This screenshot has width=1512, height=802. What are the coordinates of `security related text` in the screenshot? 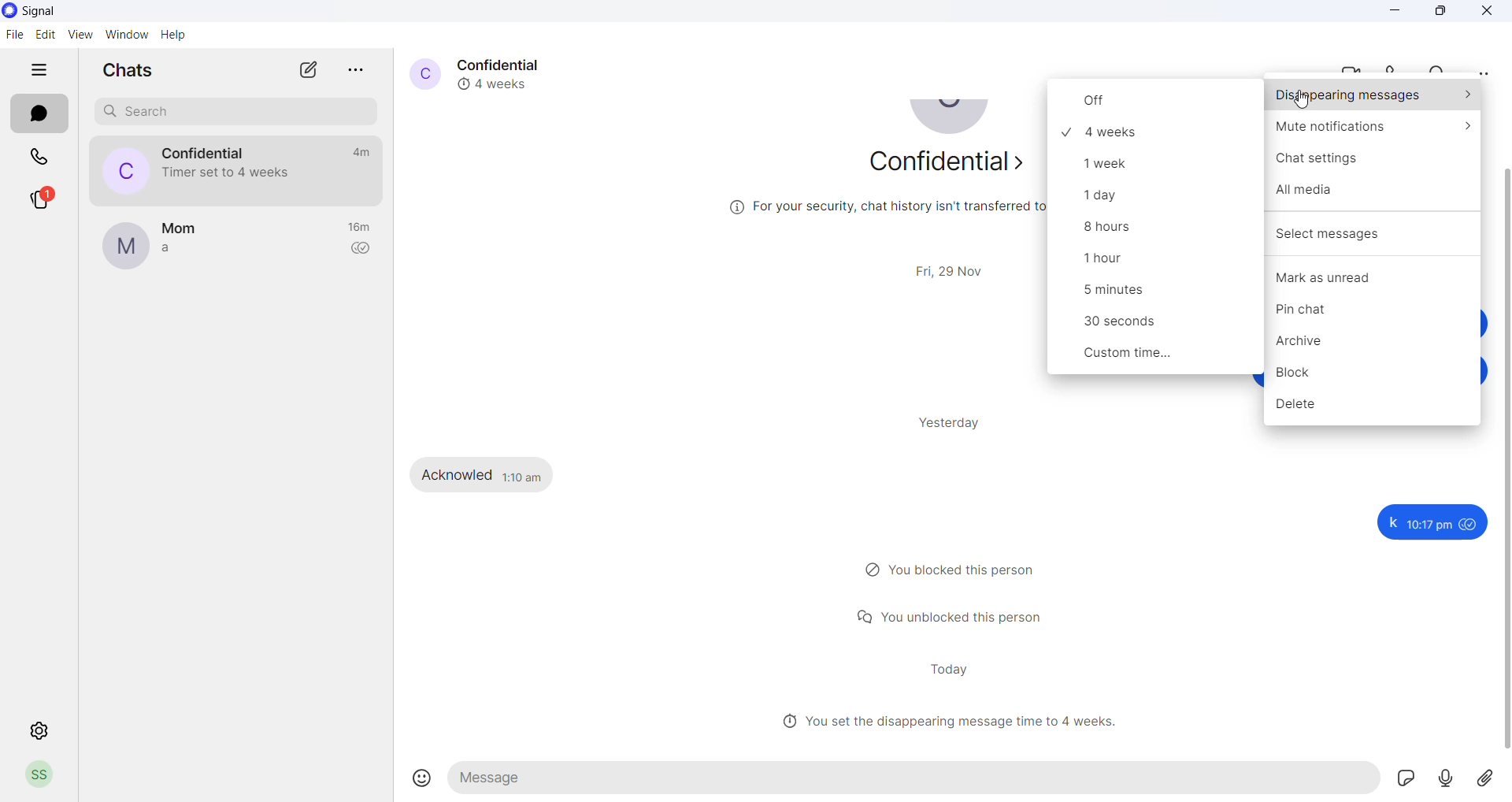 It's located at (863, 213).